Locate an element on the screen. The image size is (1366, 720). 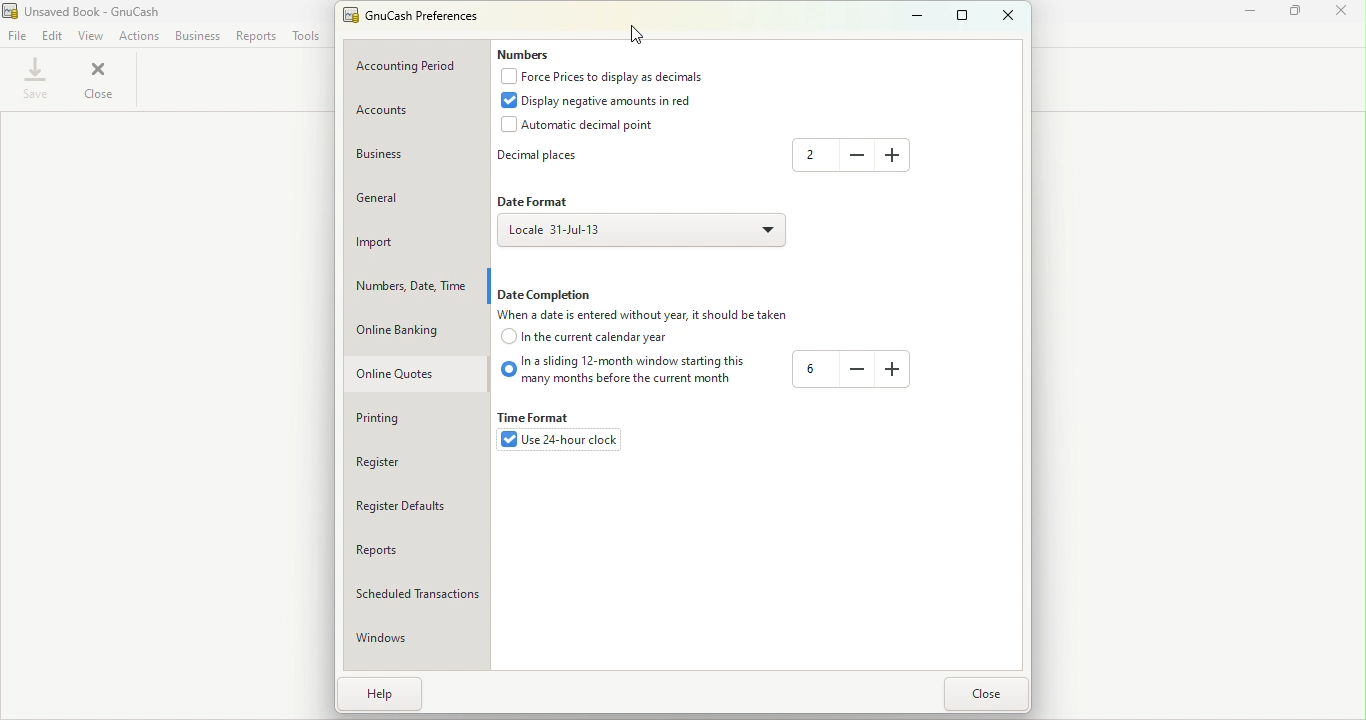
Time format is located at coordinates (531, 410).